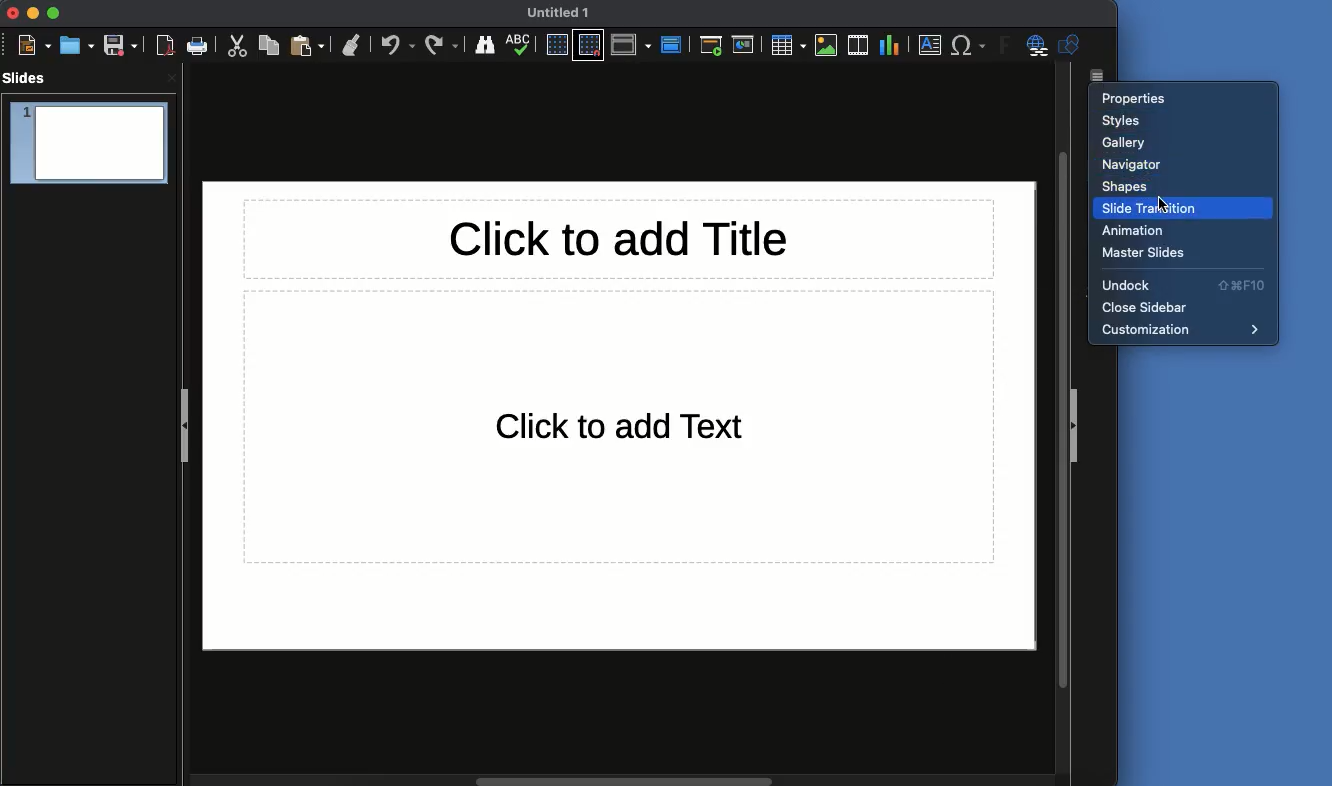  I want to click on Minimize, so click(35, 14).